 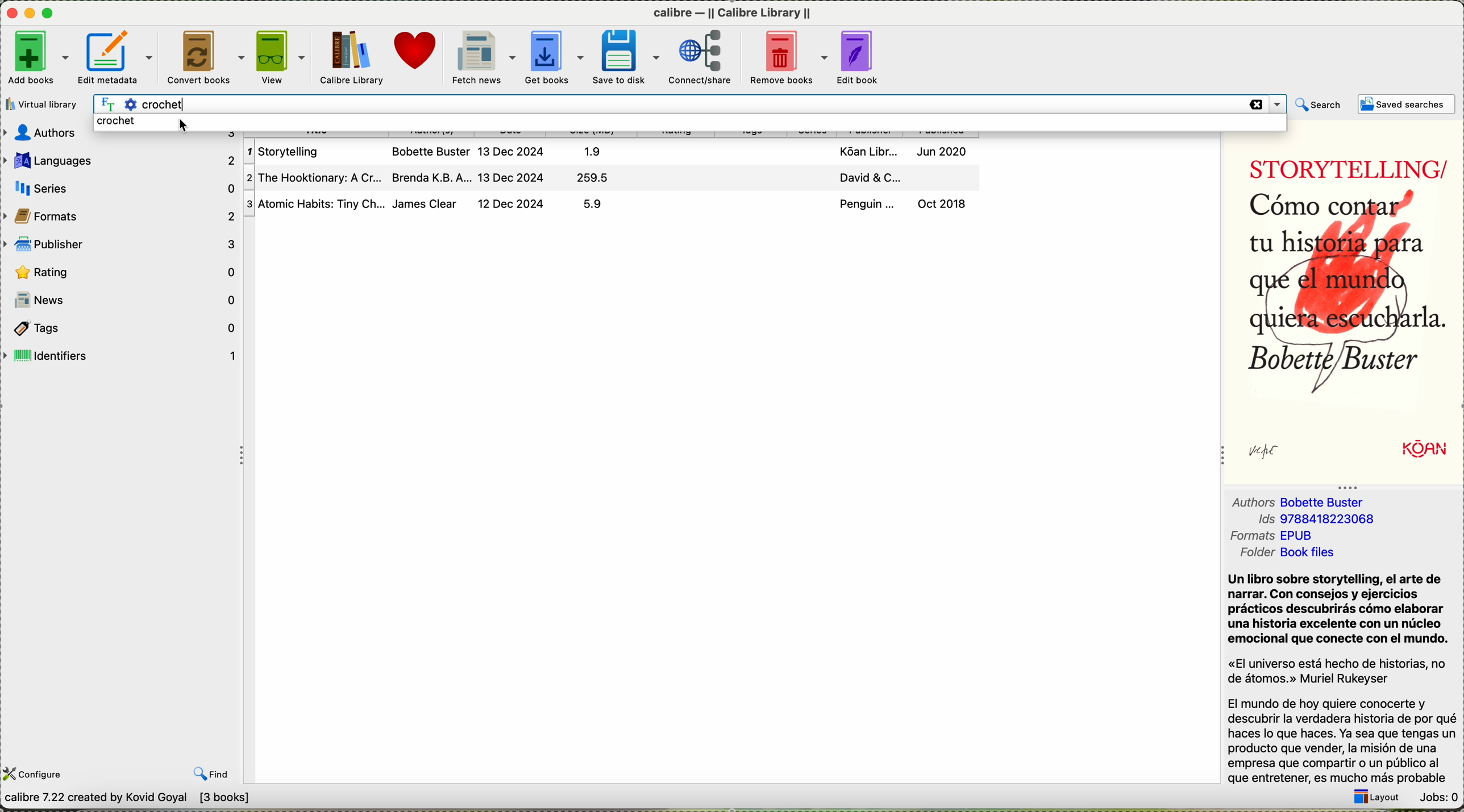 I want to click on edit book, so click(x=859, y=55).